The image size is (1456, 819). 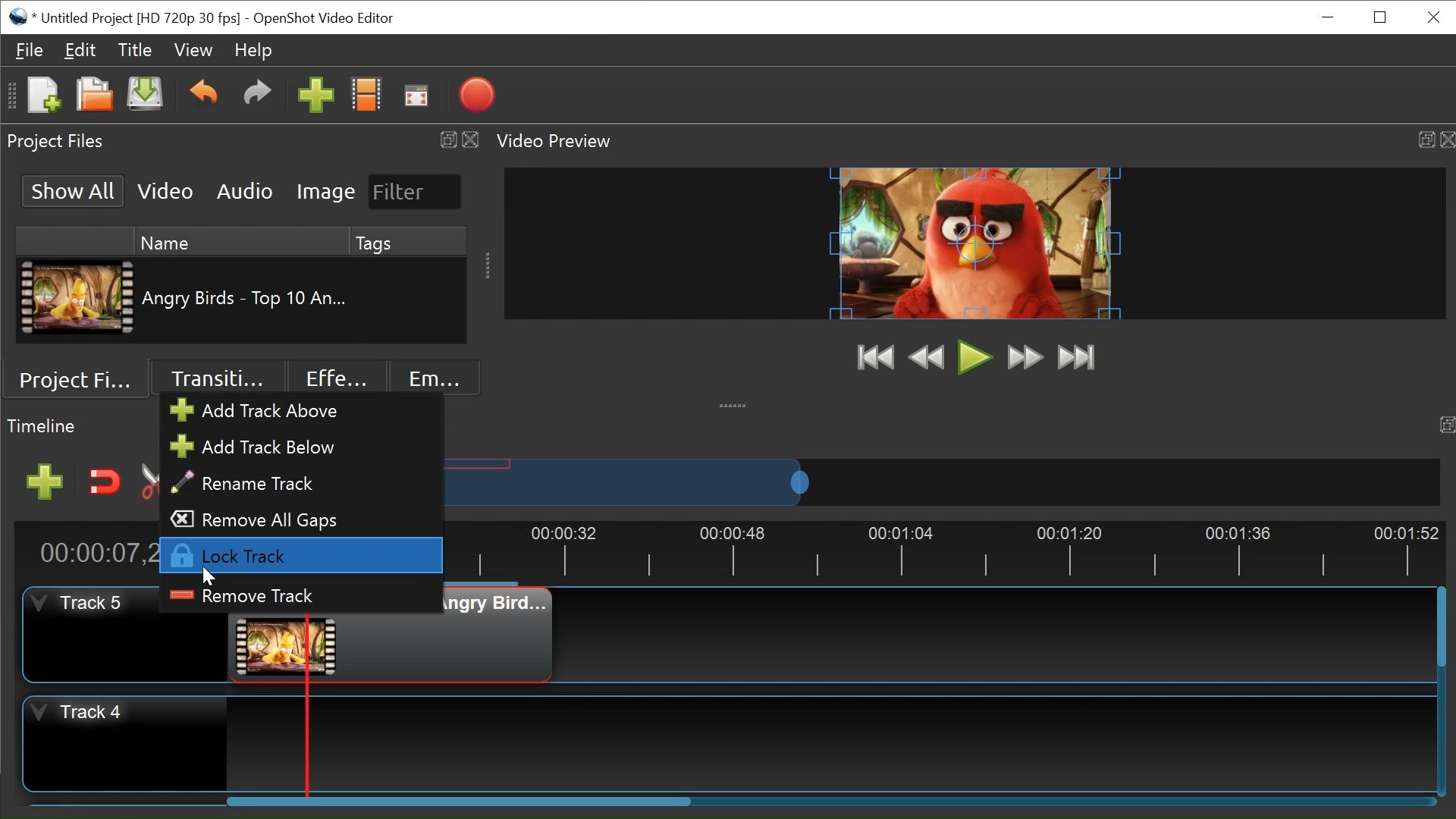 What do you see at coordinates (133, 50) in the screenshot?
I see `Title` at bounding box center [133, 50].